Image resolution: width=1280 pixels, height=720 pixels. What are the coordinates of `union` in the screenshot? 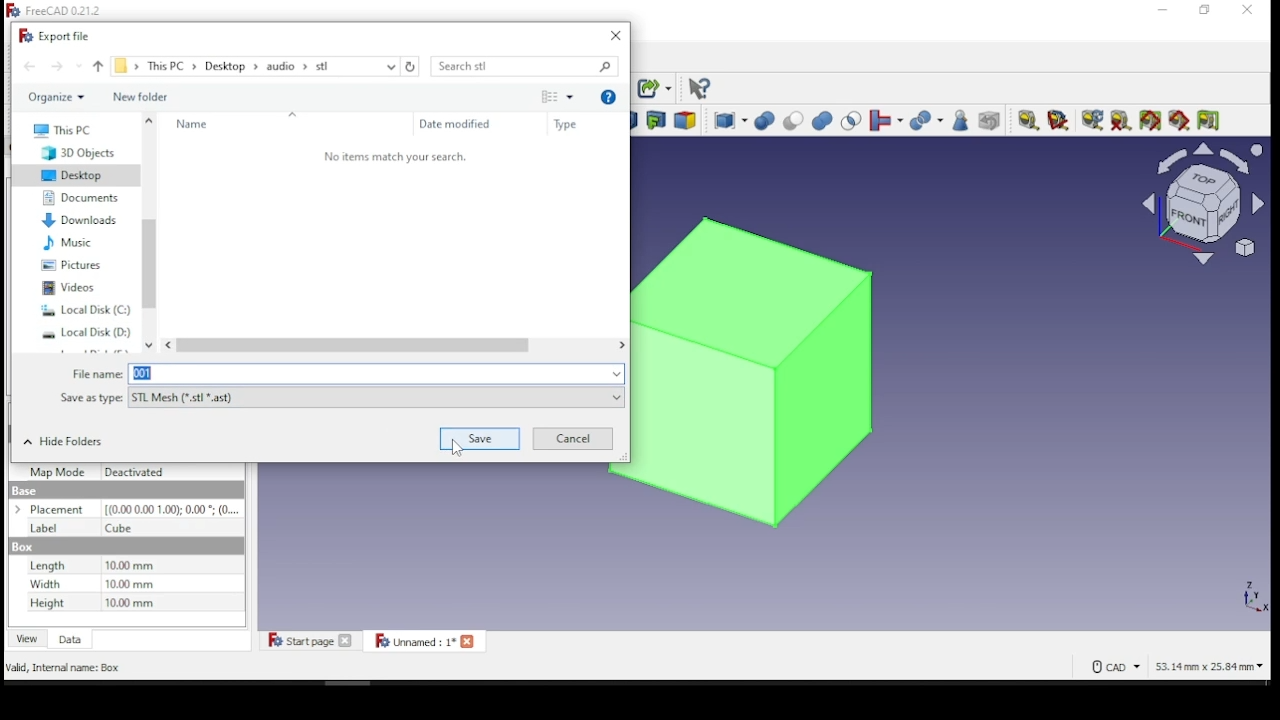 It's located at (822, 121).